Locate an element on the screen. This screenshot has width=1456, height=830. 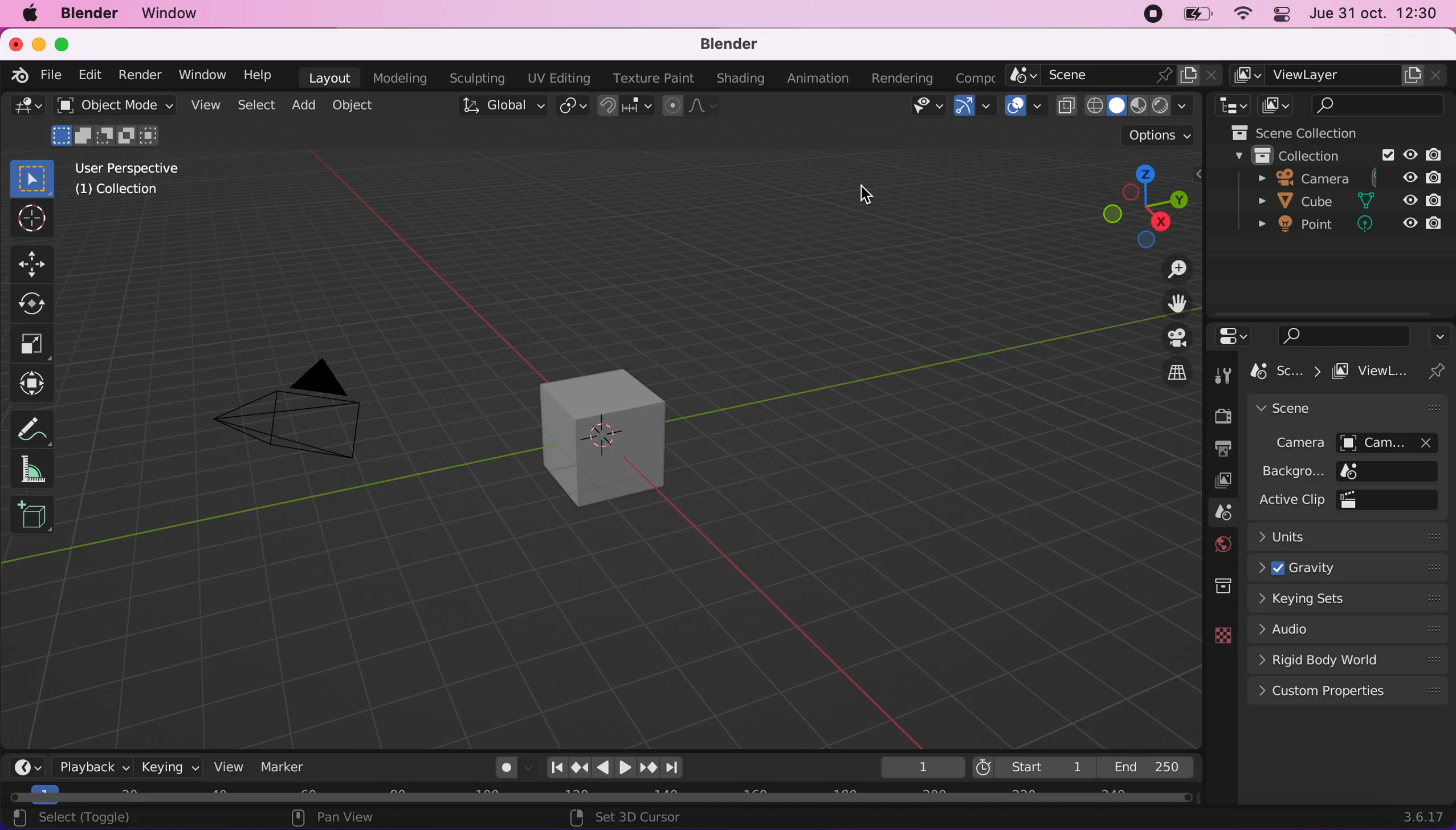
add cube is located at coordinates (36, 517).